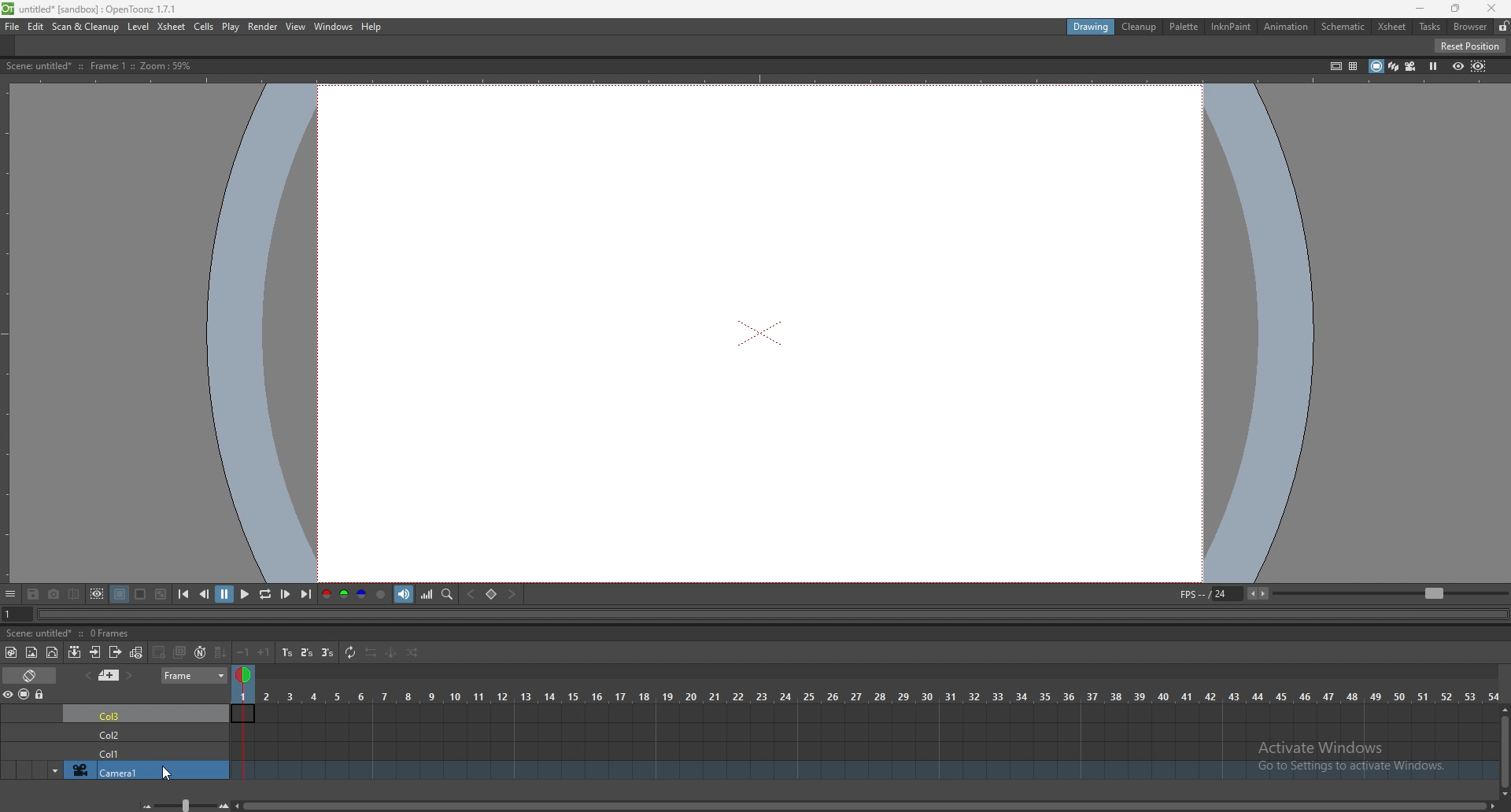  Describe the element at coordinates (115, 770) in the screenshot. I see `camera` at that location.